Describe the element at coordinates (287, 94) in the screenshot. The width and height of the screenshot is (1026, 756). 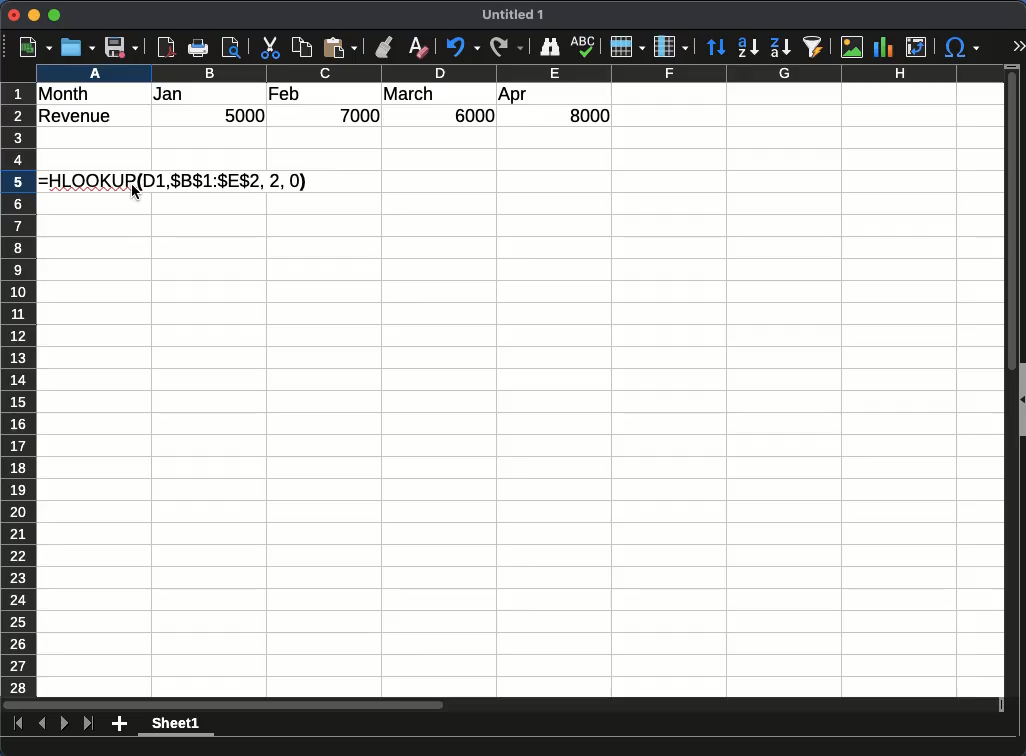
I see `feb` at that location.